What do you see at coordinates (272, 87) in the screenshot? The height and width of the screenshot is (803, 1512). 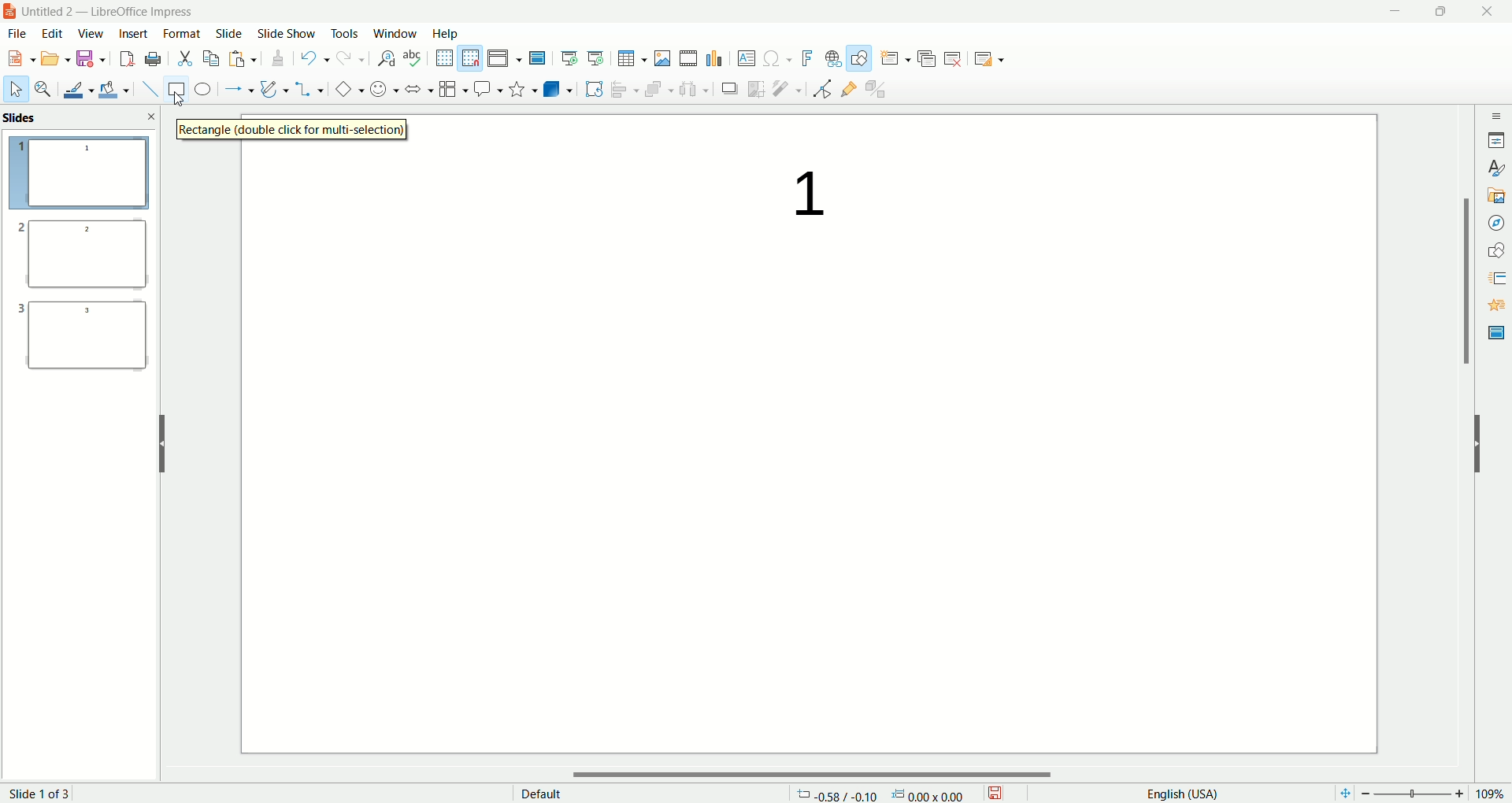 I see `curves and polygon` at bounding box center [272, 87].